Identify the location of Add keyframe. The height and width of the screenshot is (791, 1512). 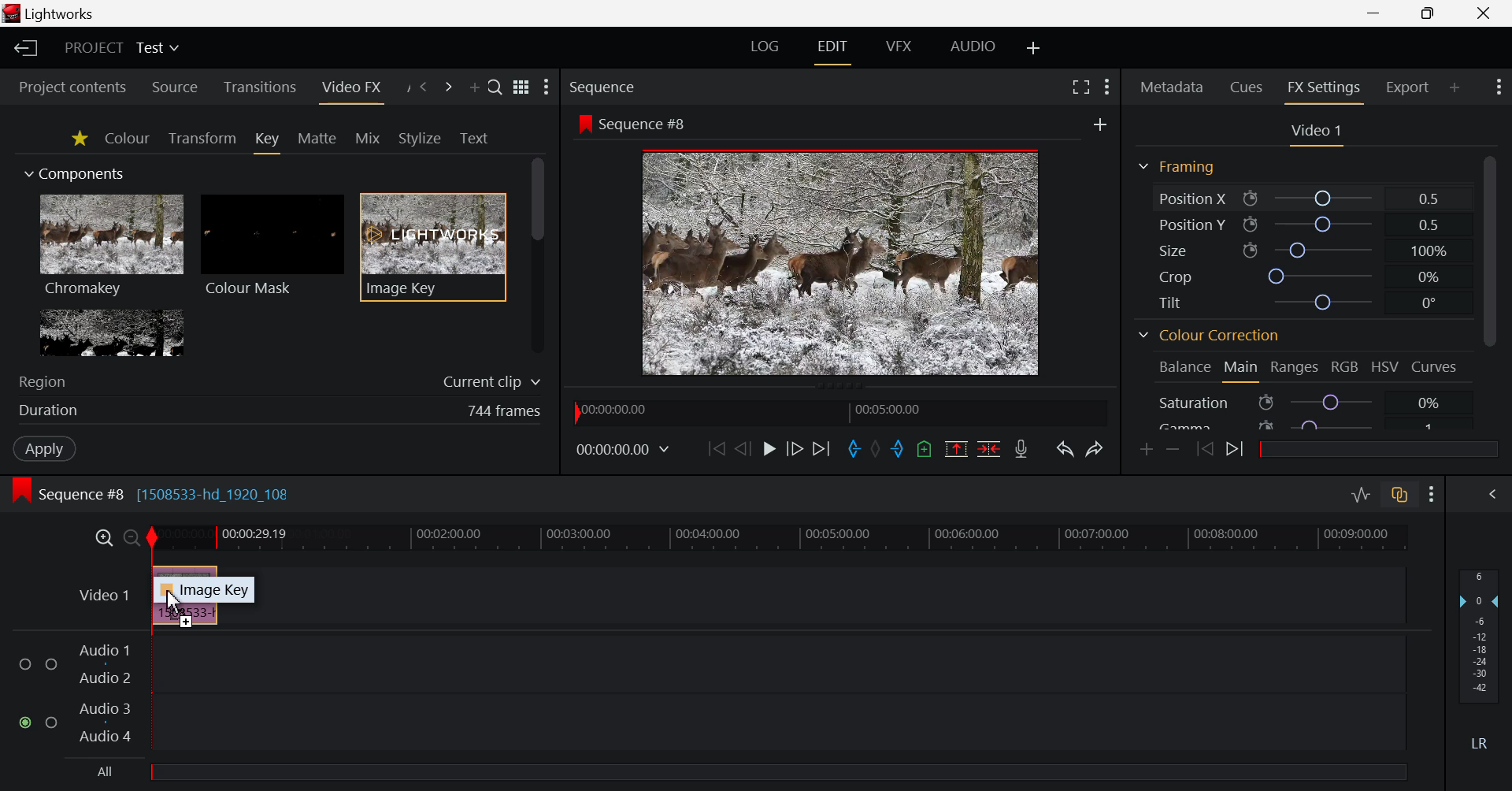
(1145, 448).